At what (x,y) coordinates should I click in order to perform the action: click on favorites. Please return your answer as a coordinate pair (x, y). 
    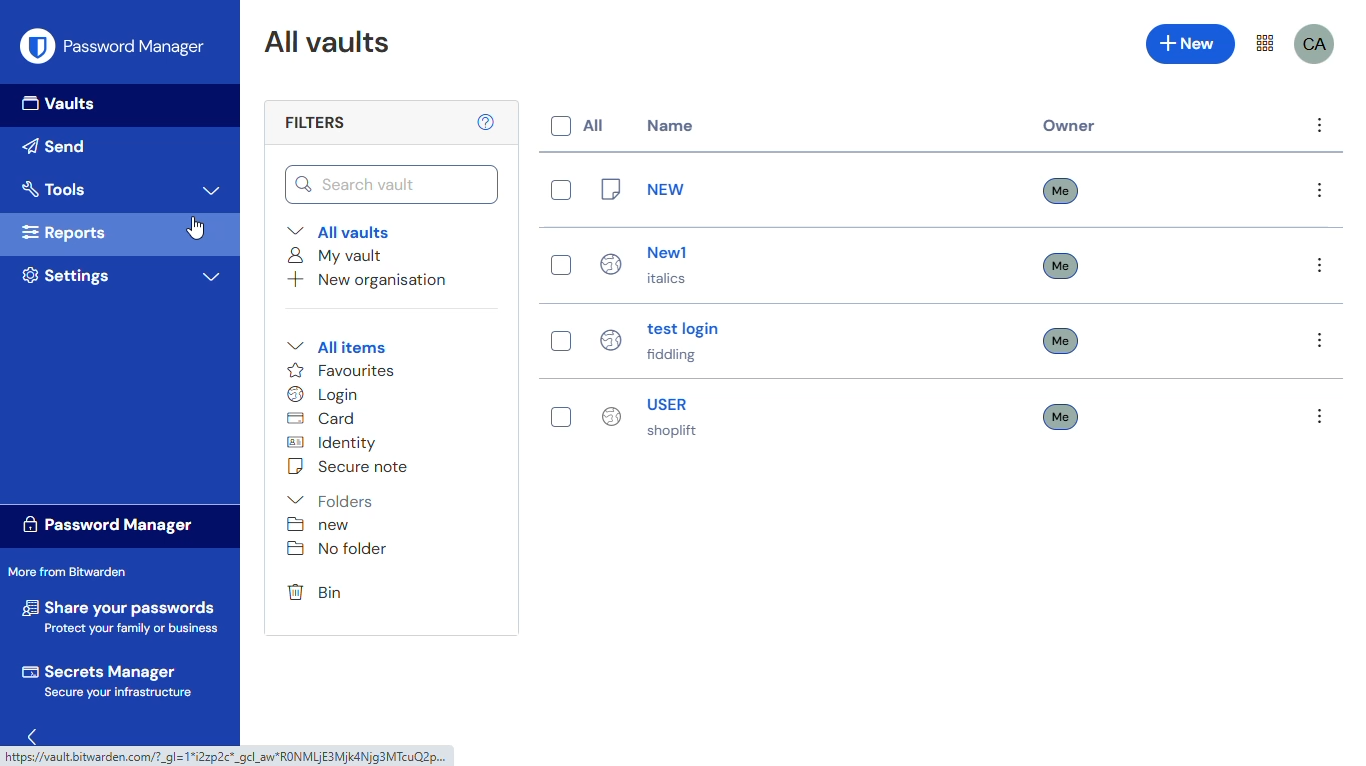
    Looking at the image, I should click on (341, 370).